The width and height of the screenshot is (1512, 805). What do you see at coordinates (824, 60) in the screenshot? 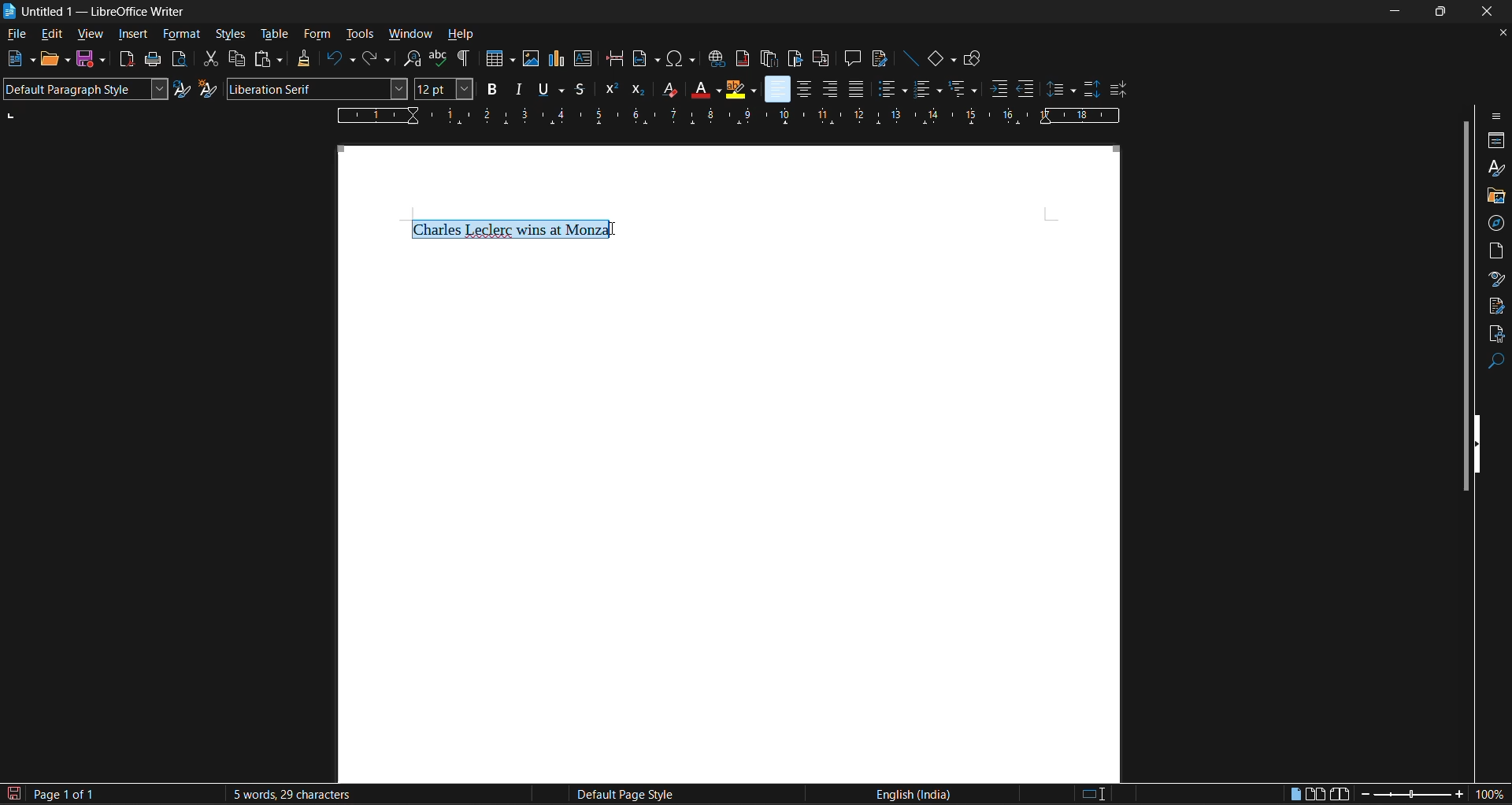
I see `insert cross reference` at bounding box center [824, 60].